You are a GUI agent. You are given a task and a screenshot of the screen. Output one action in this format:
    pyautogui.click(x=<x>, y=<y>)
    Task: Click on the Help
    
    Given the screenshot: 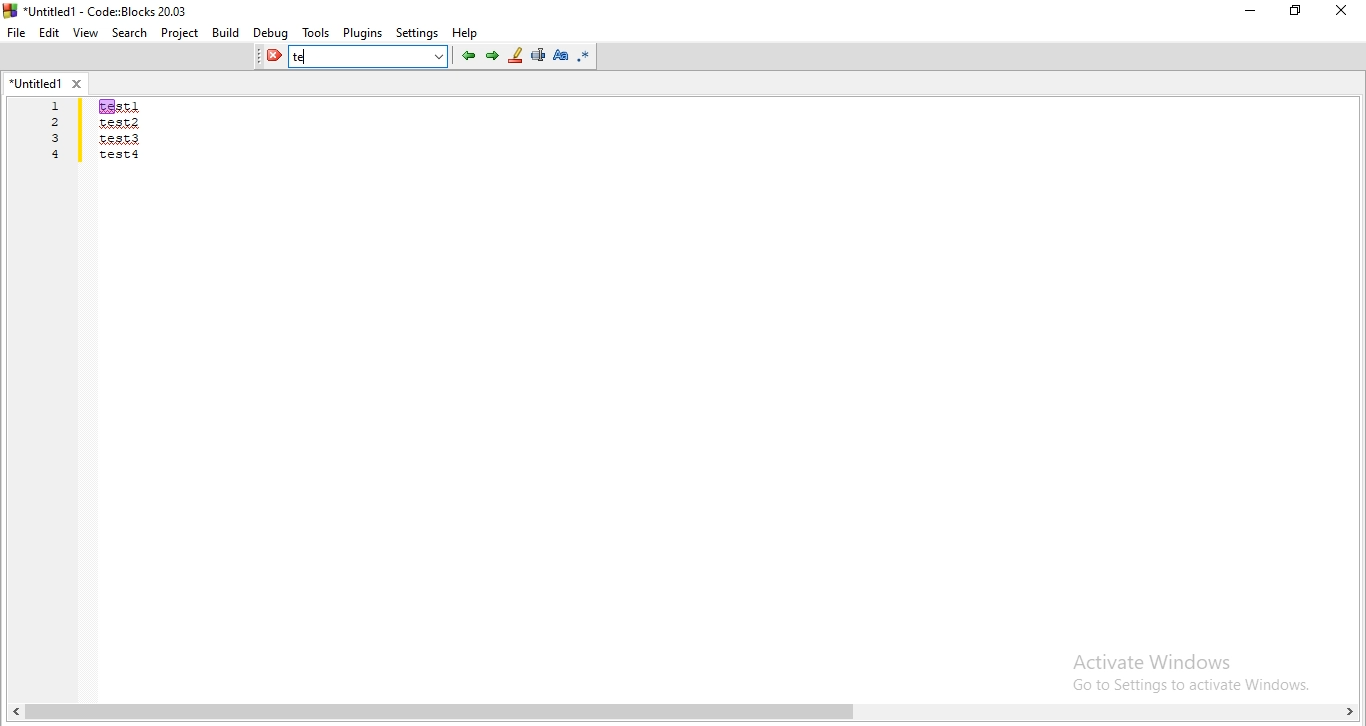 What is the action you would take?
    pyautogui.click(x=467, y=33)
    